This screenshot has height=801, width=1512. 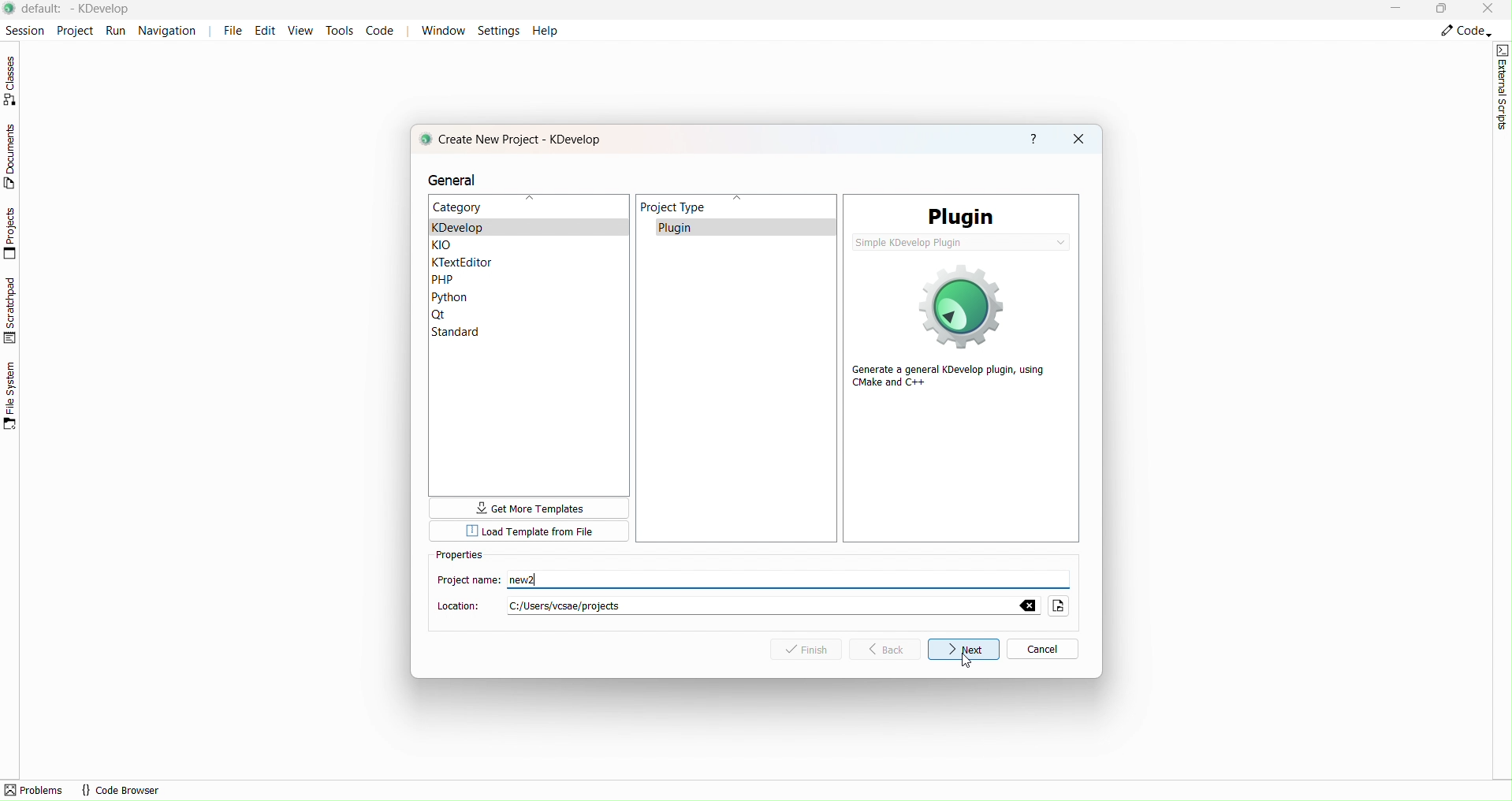 I want to click on close, so click(x=1078, y=140).